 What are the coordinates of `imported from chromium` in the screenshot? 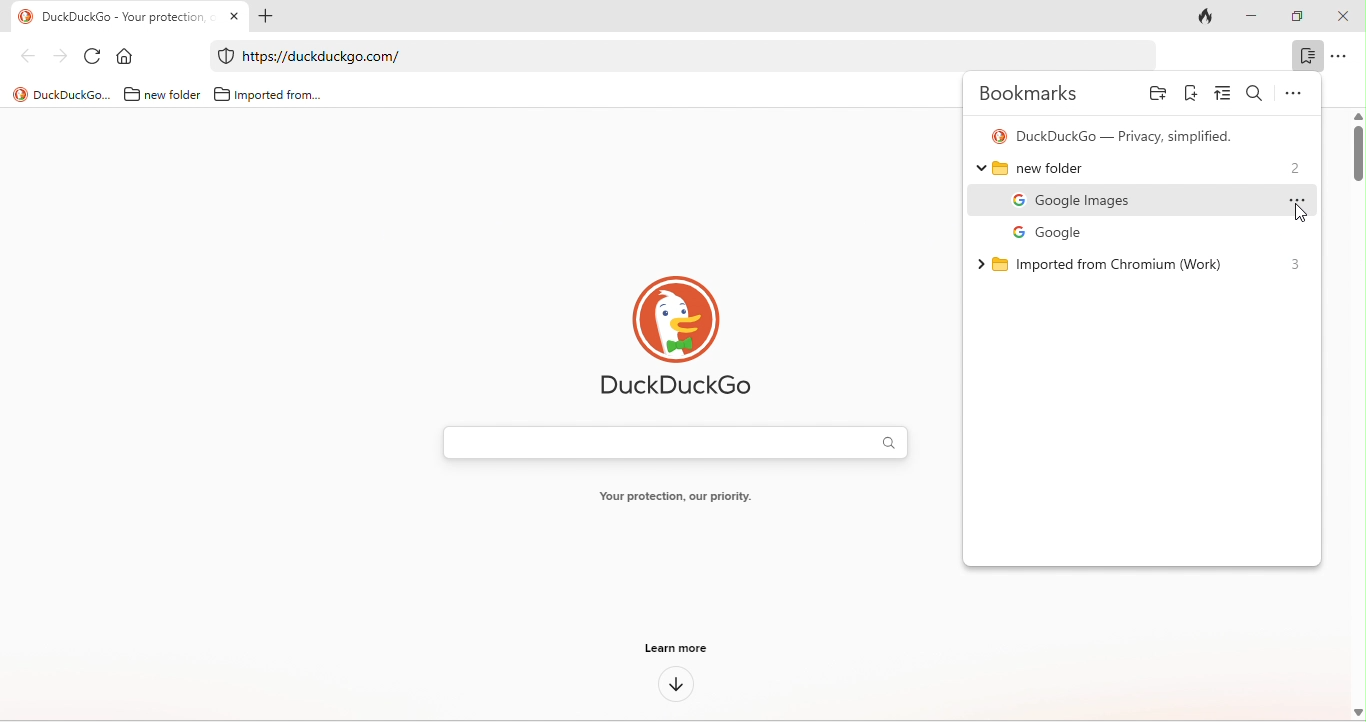 It's located at (1104, 262).